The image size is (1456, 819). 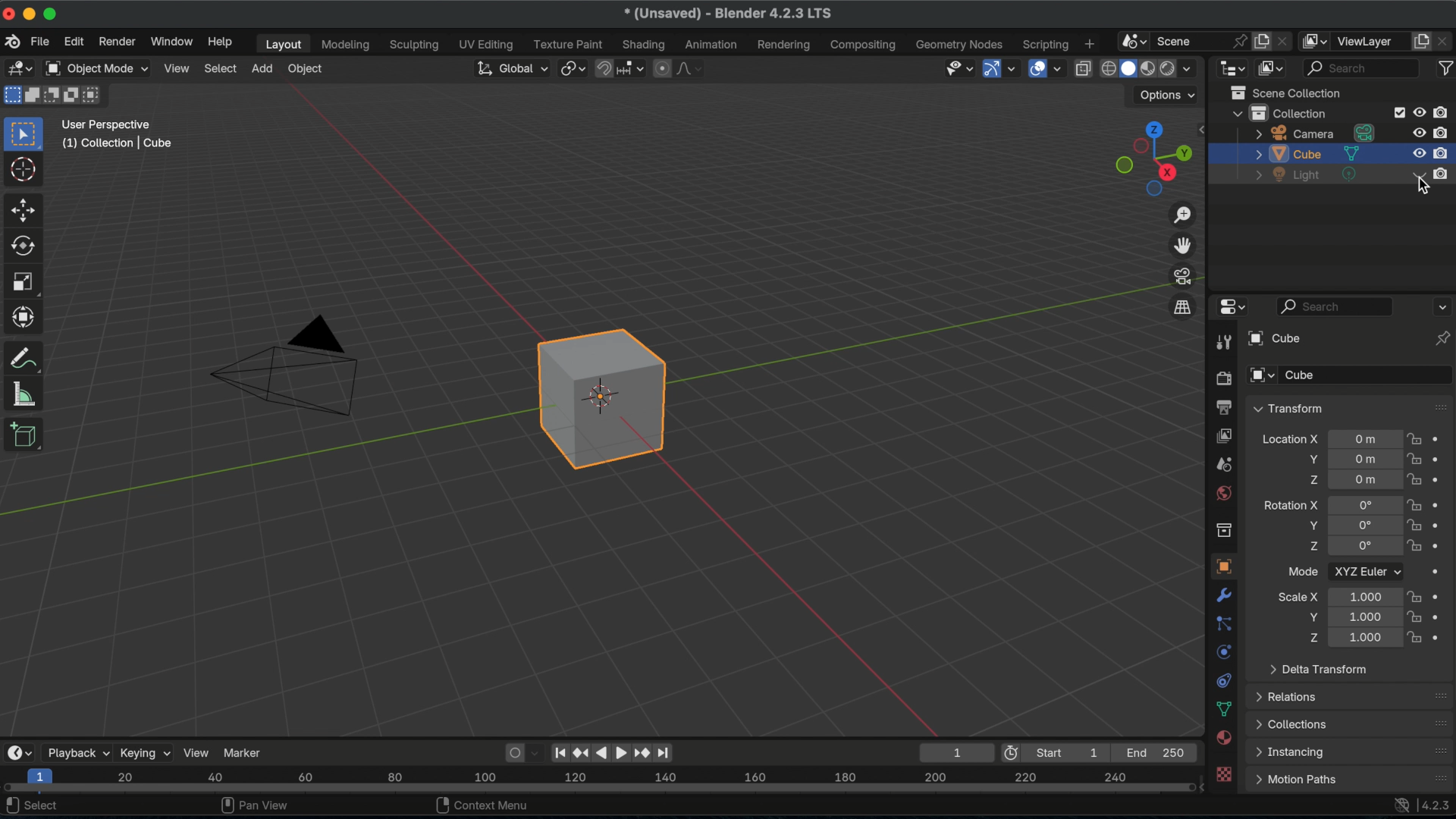 I want to click on nodes, so click(x=990, y=42).